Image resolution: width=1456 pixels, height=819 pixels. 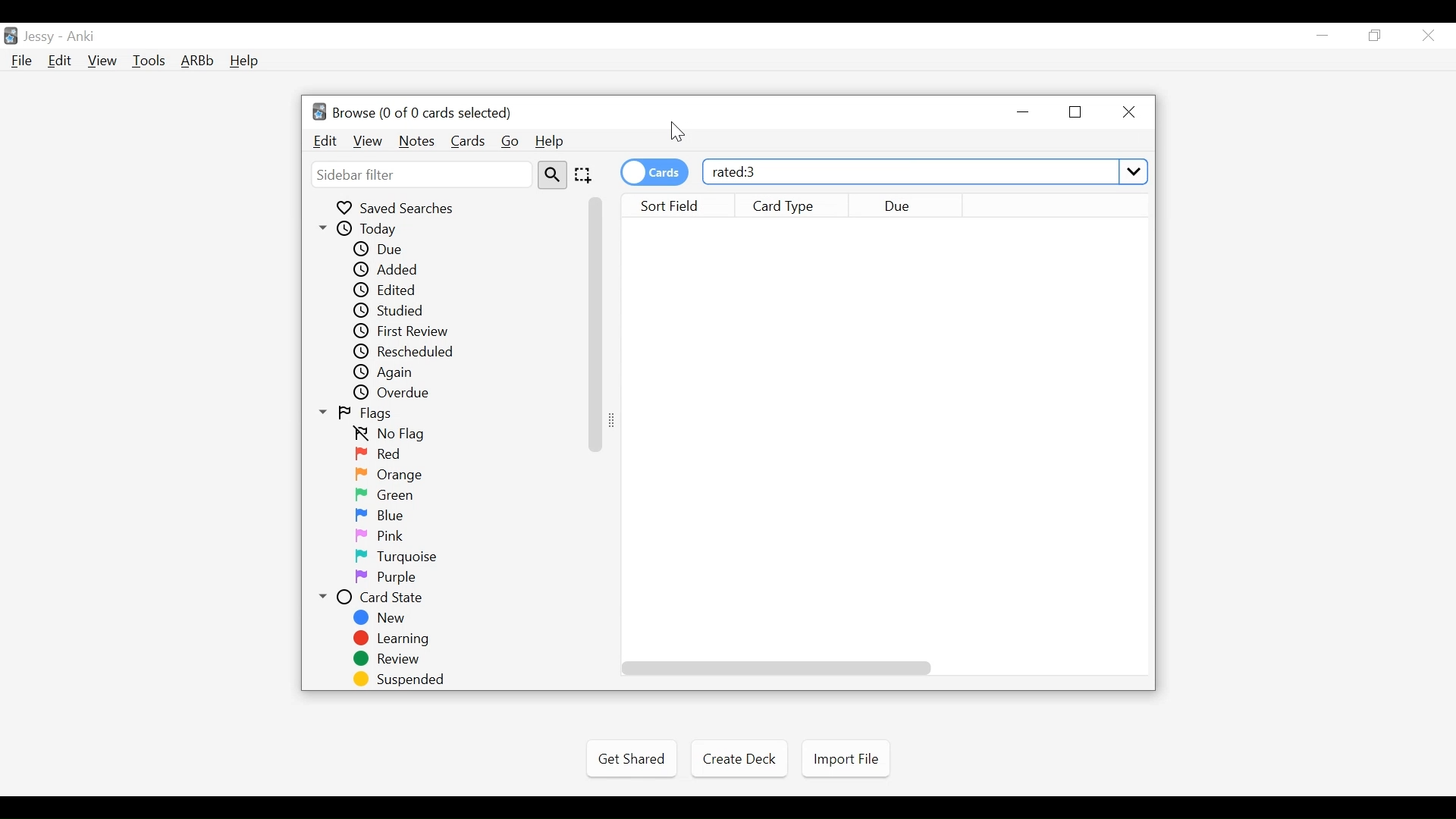 I want to click on Toggle Cards/Notes, so click(x=654, y=172).